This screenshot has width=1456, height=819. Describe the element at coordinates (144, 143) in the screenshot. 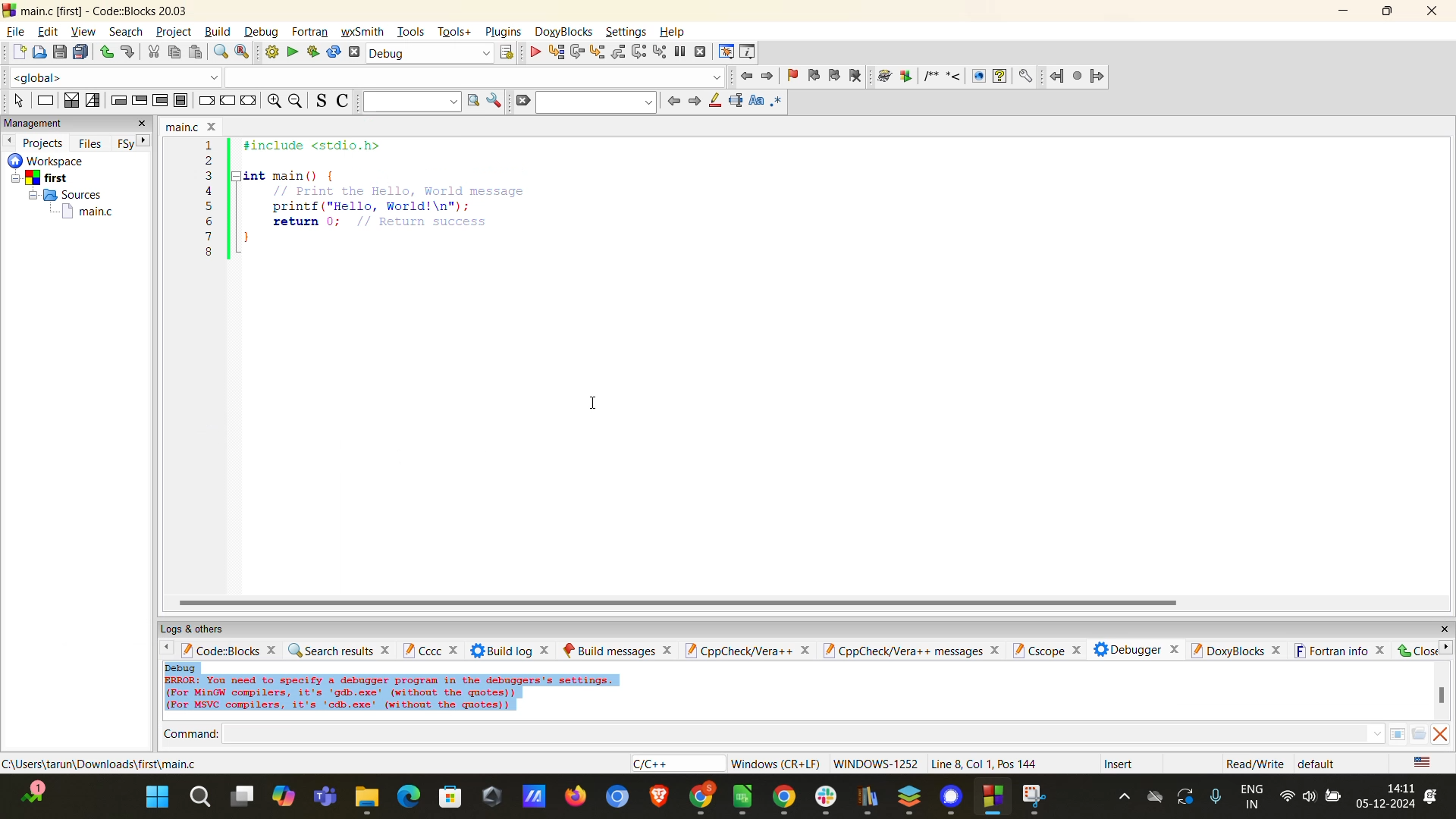

I see `next` at that location.